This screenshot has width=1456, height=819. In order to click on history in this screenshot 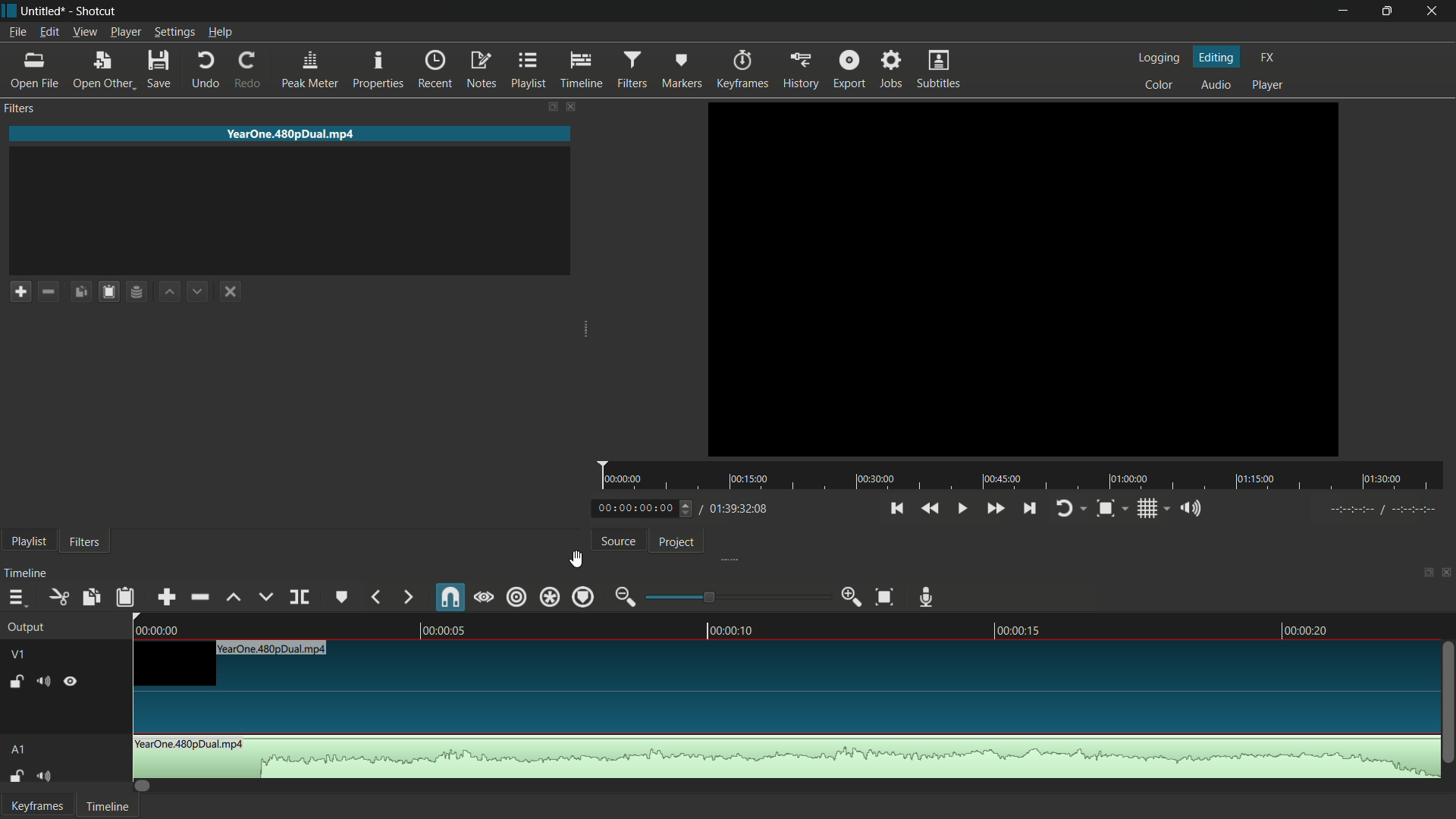, I will do `click(801, 70)`.